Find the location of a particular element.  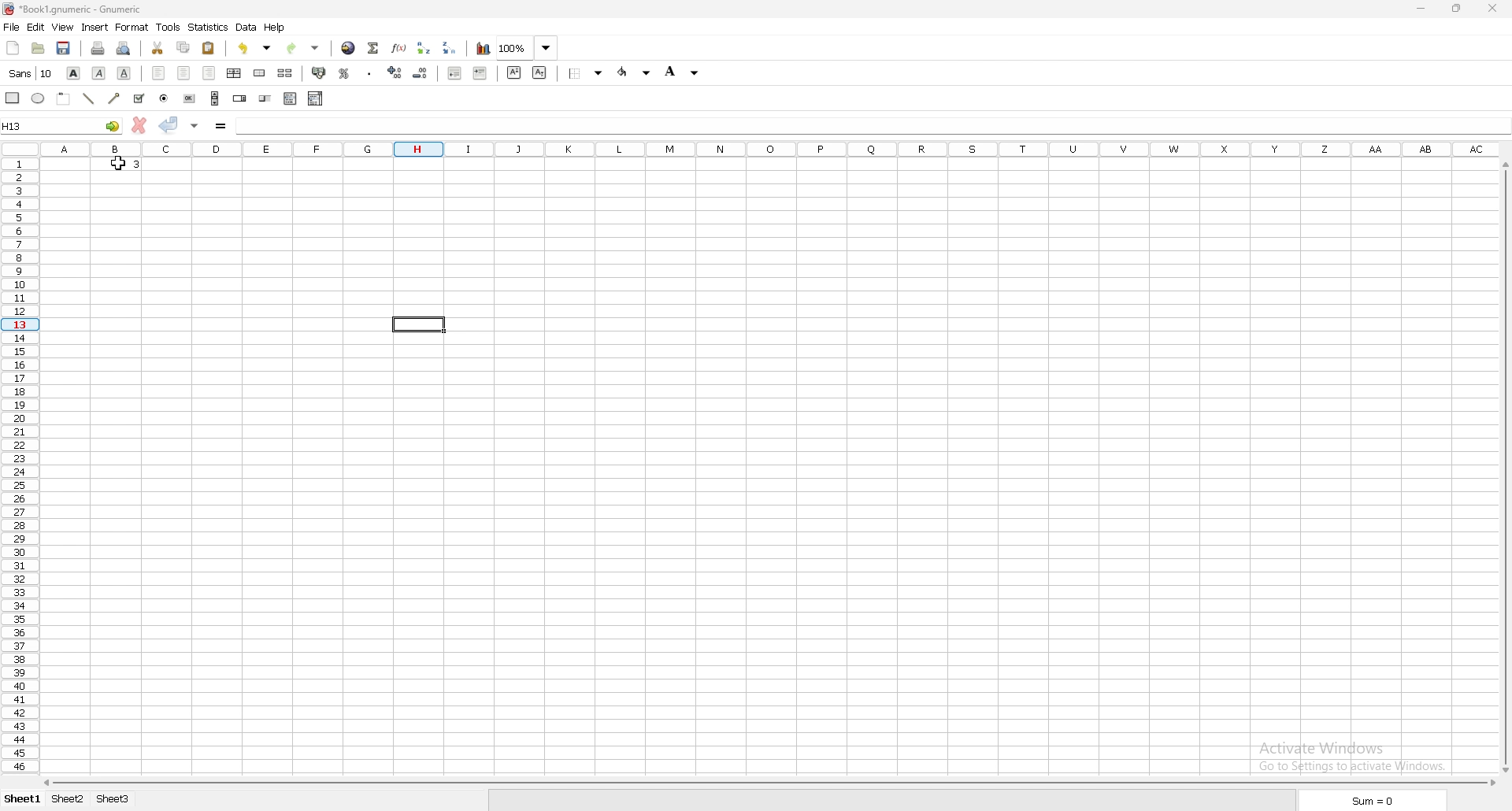

accept changes is located at coordinates (169, 126).